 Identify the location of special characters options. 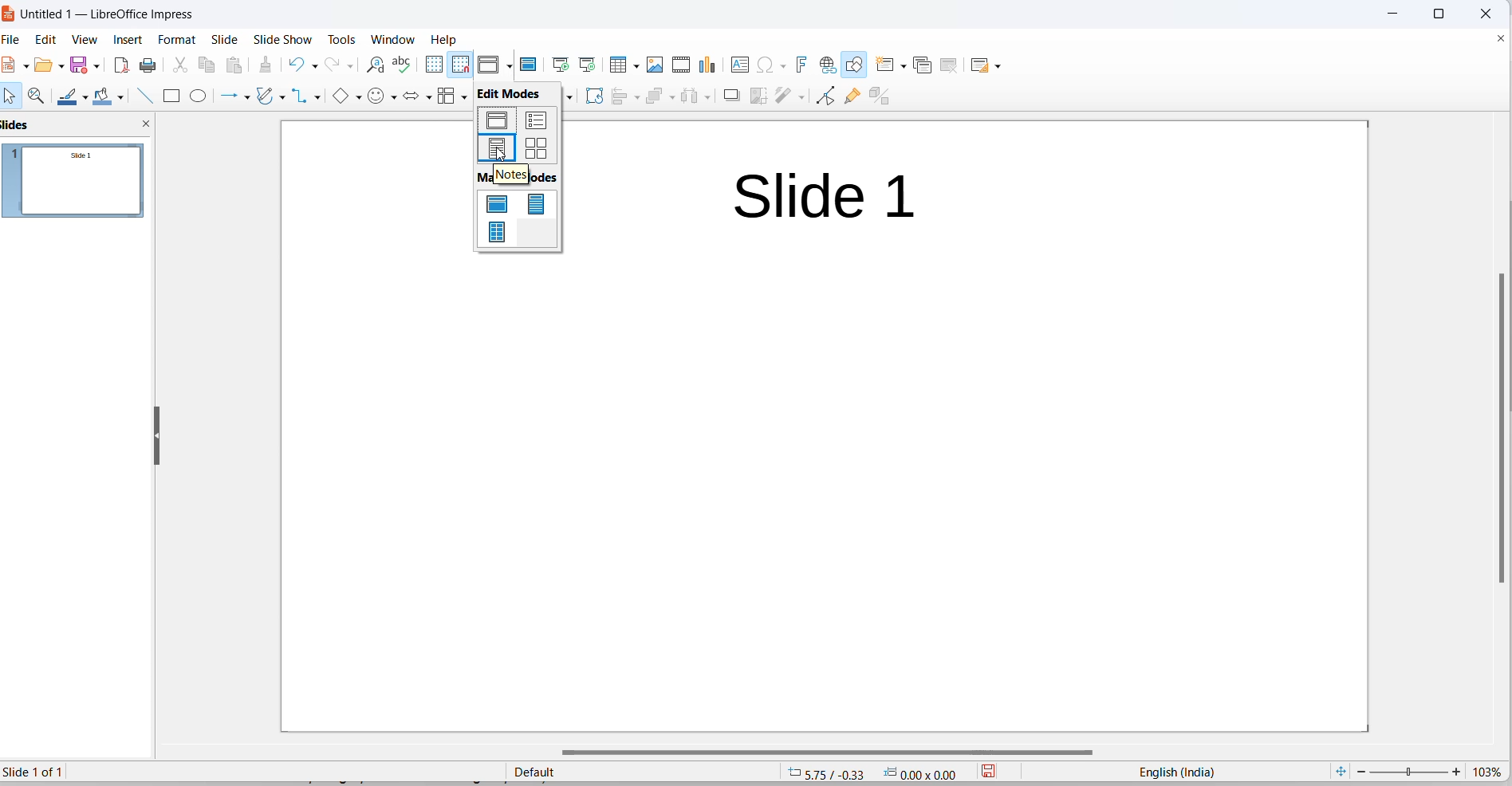
(782, 64).